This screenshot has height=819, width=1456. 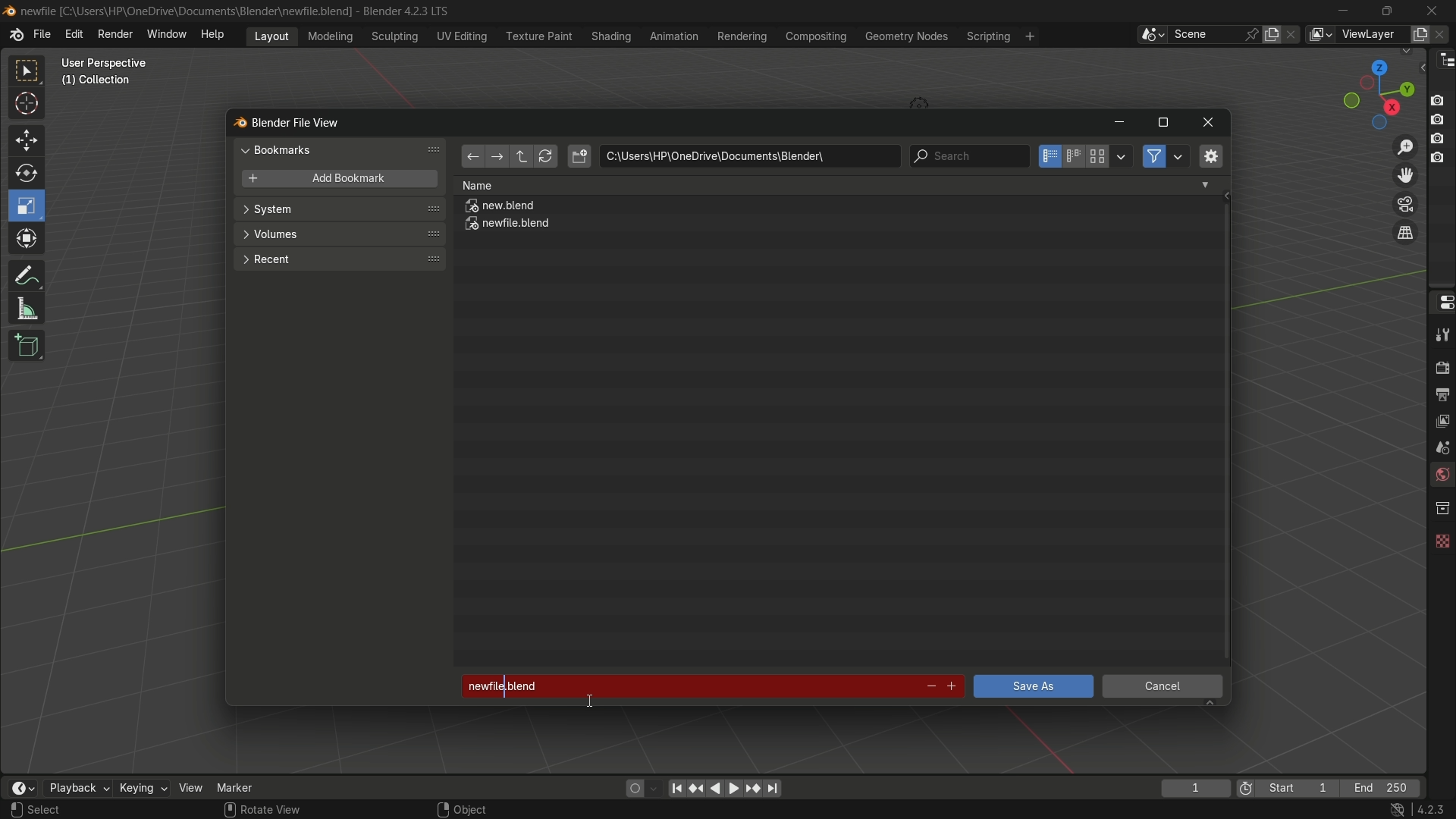 I want to click on annotate, so click(x=26, y=274).